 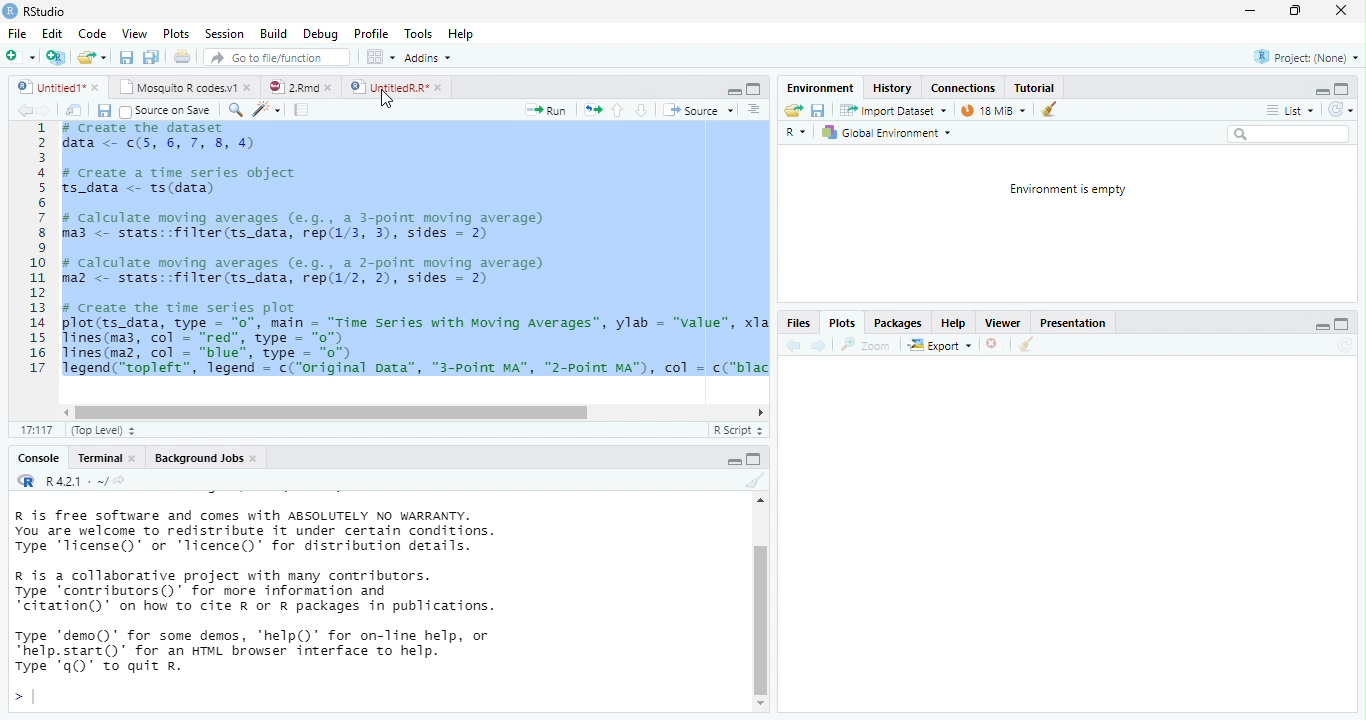 I want to click on R Script, so click(x=736, y=430).